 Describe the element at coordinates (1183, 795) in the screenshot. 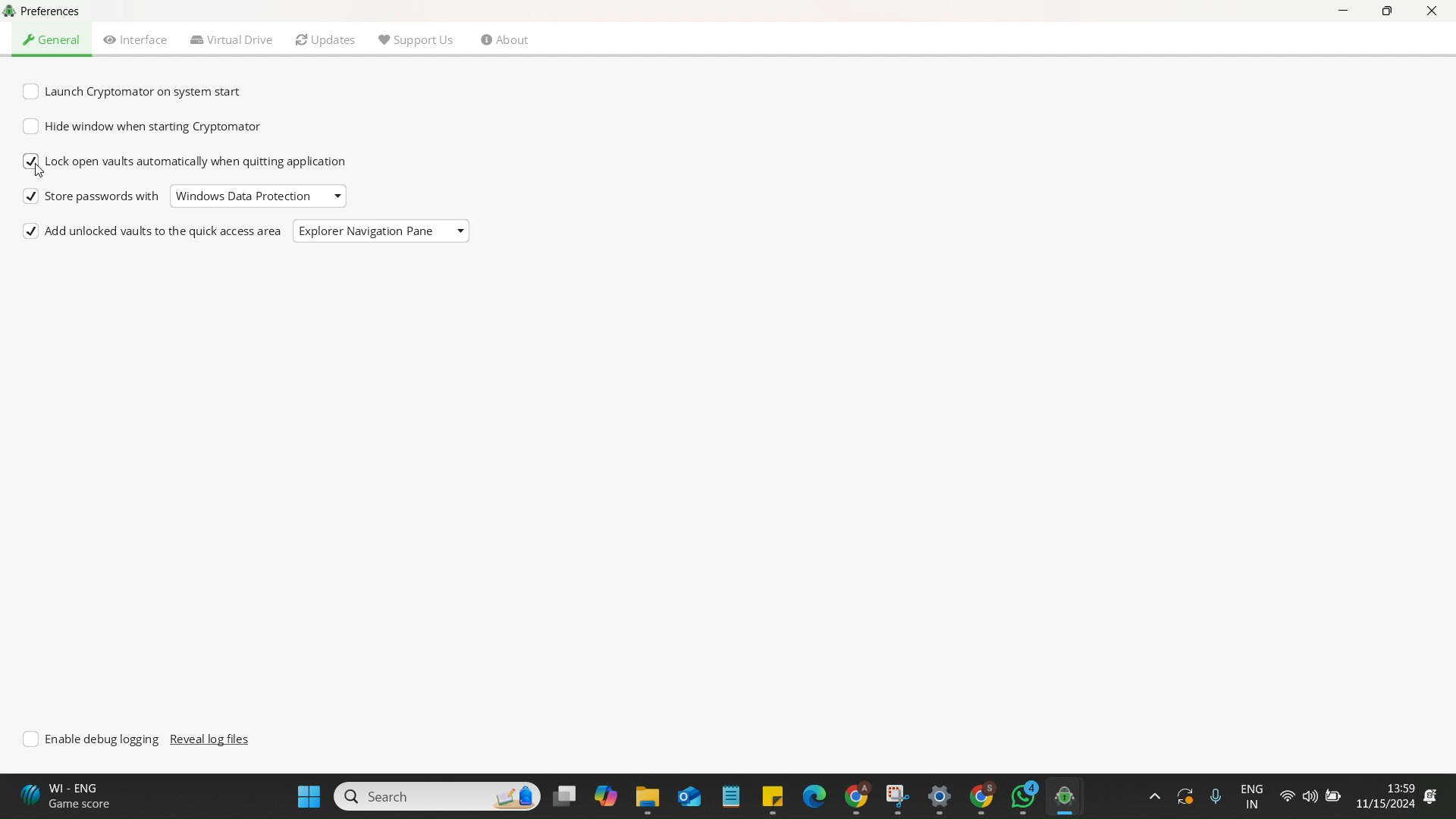

I see `Windows update` at that location.